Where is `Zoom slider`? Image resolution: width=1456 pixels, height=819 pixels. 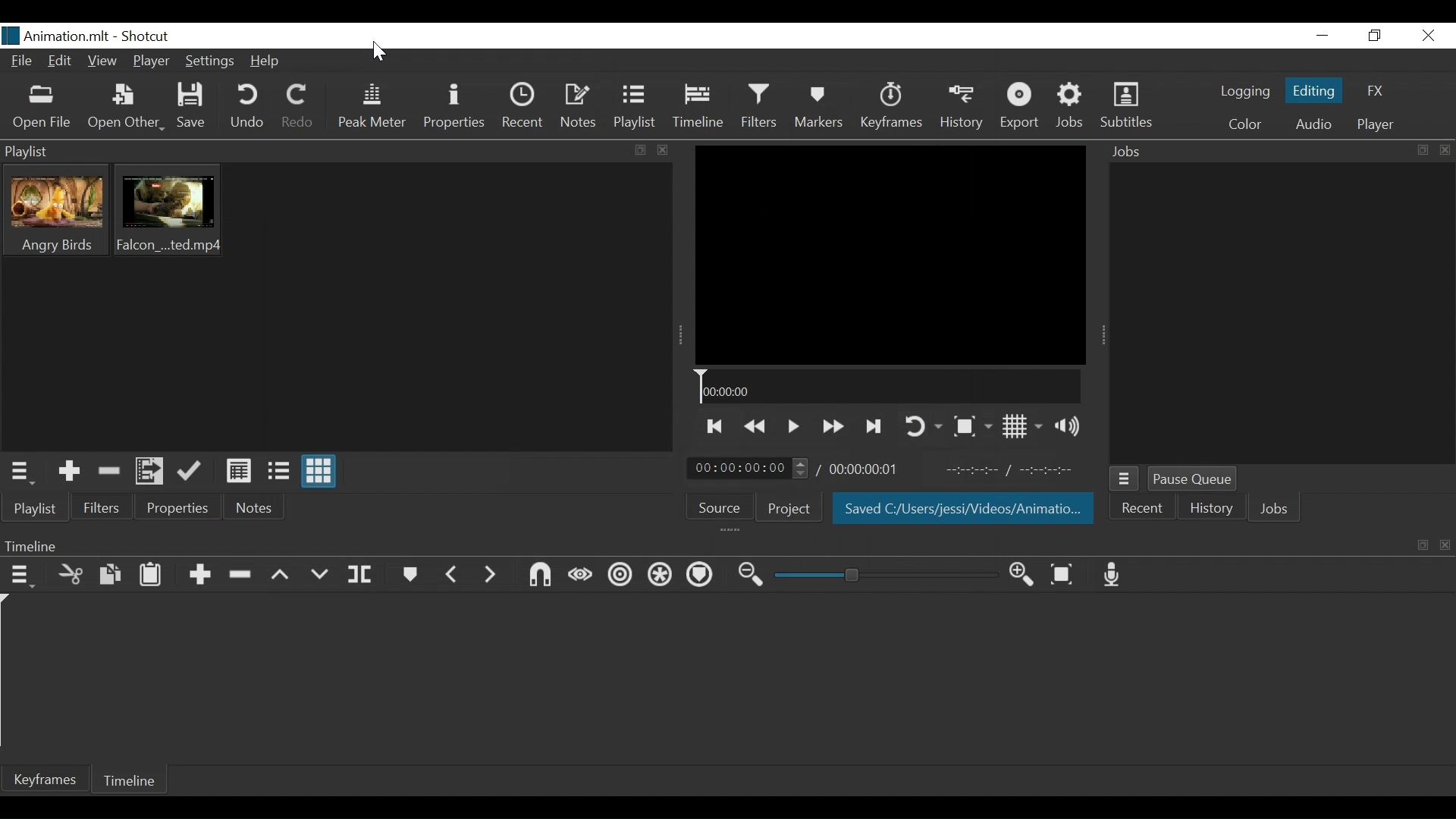 Zoom slider is located at coordinates (890, 575).